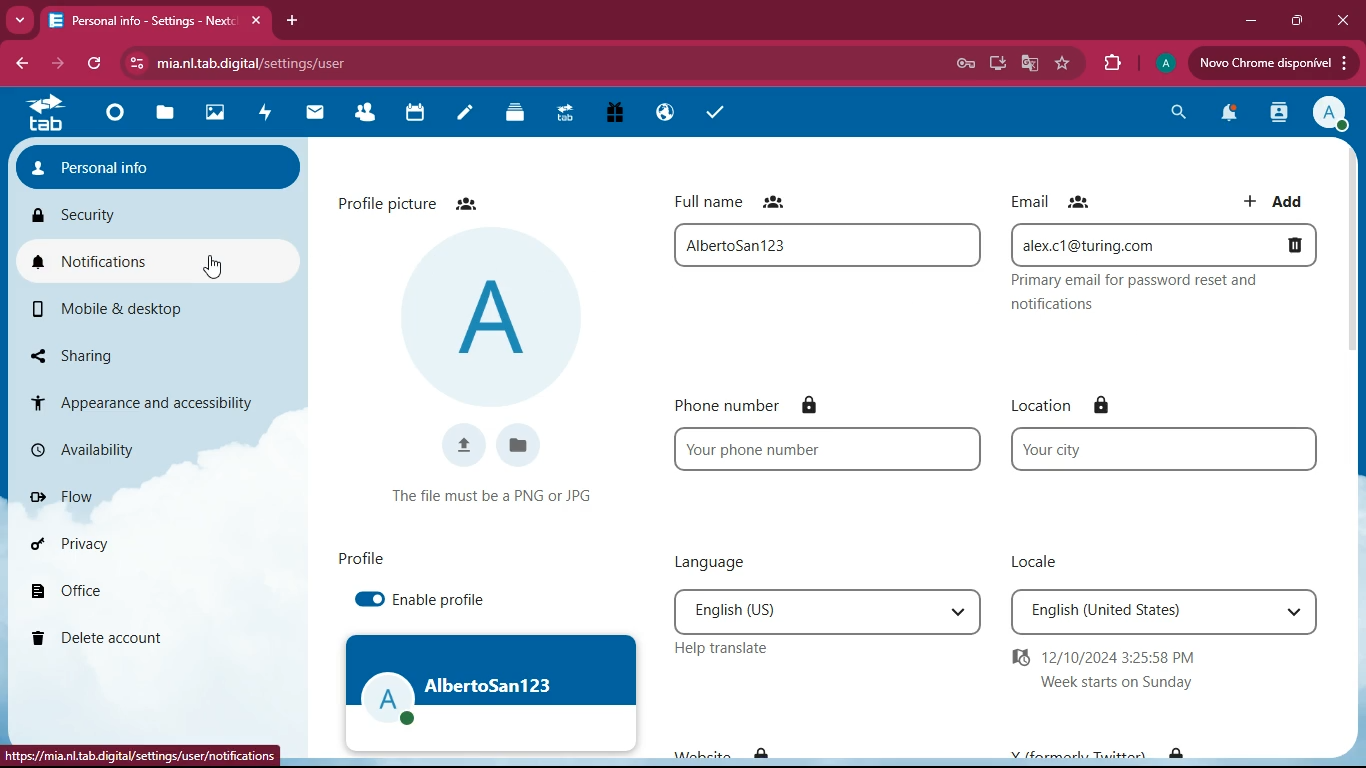  I want to click on maximize, so click(1292, 21).